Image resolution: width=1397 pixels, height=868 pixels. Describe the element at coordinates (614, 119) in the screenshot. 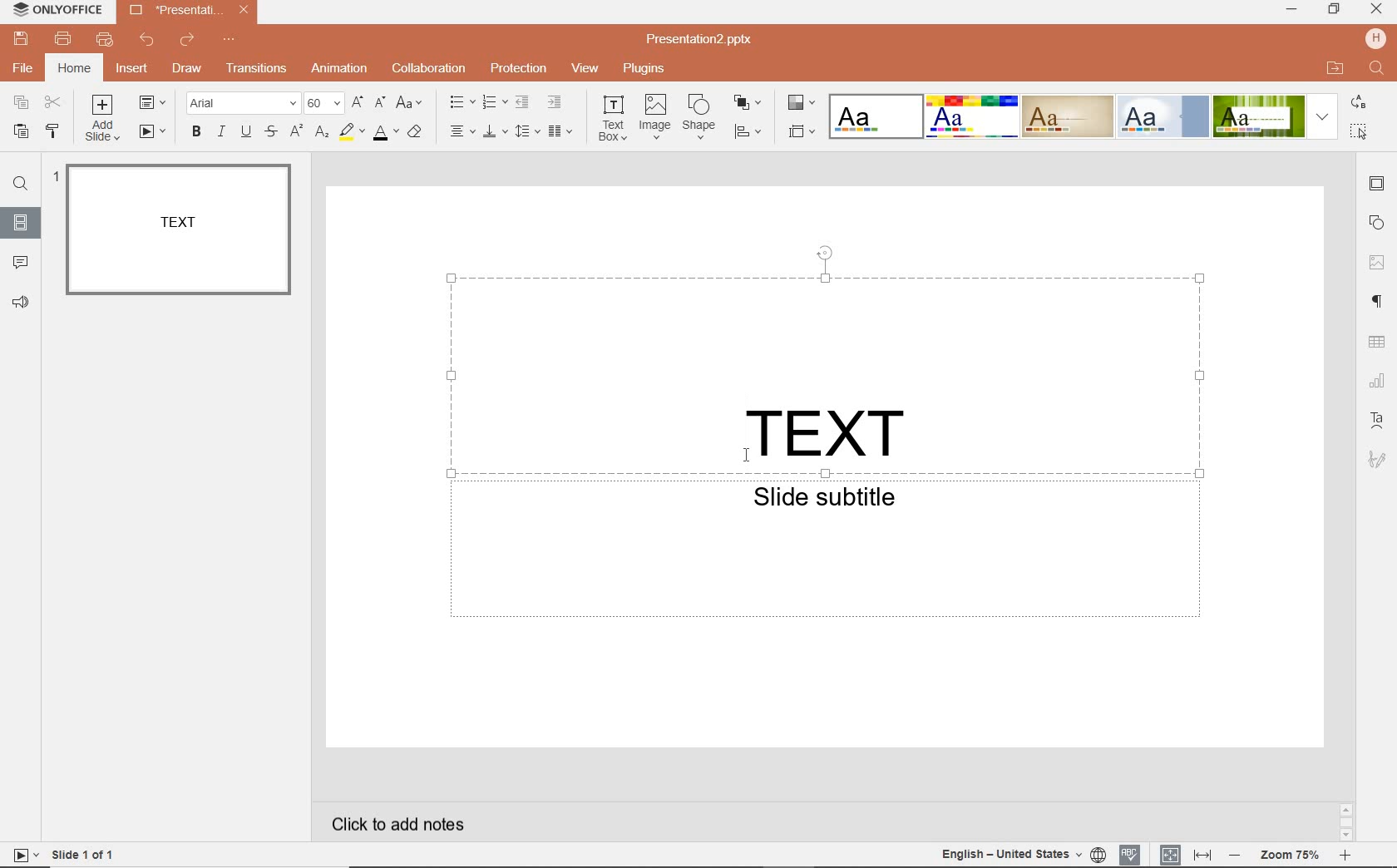

I see `text box` at that location.